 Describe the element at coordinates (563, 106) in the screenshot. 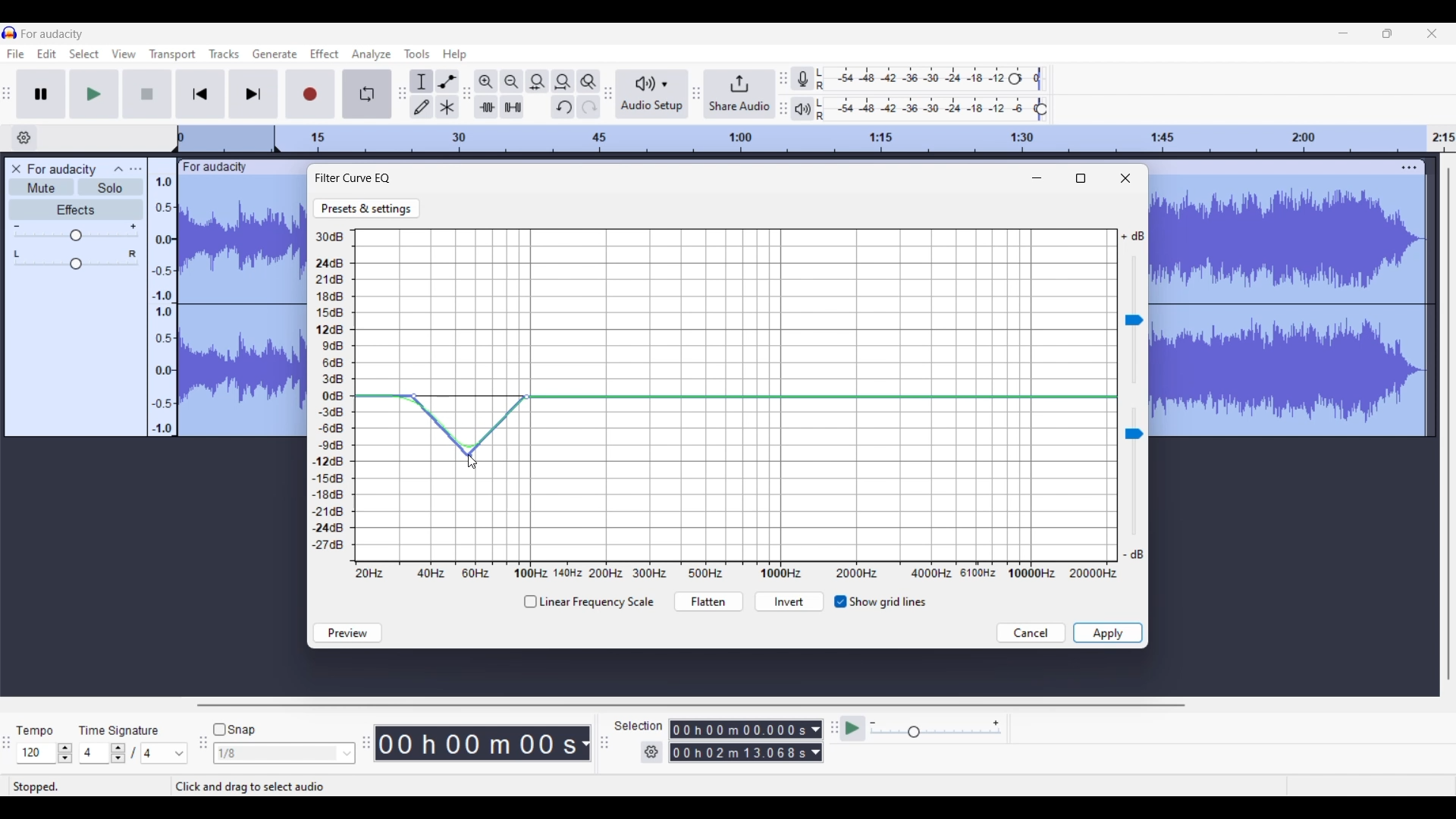

I see `Undo` at that location.